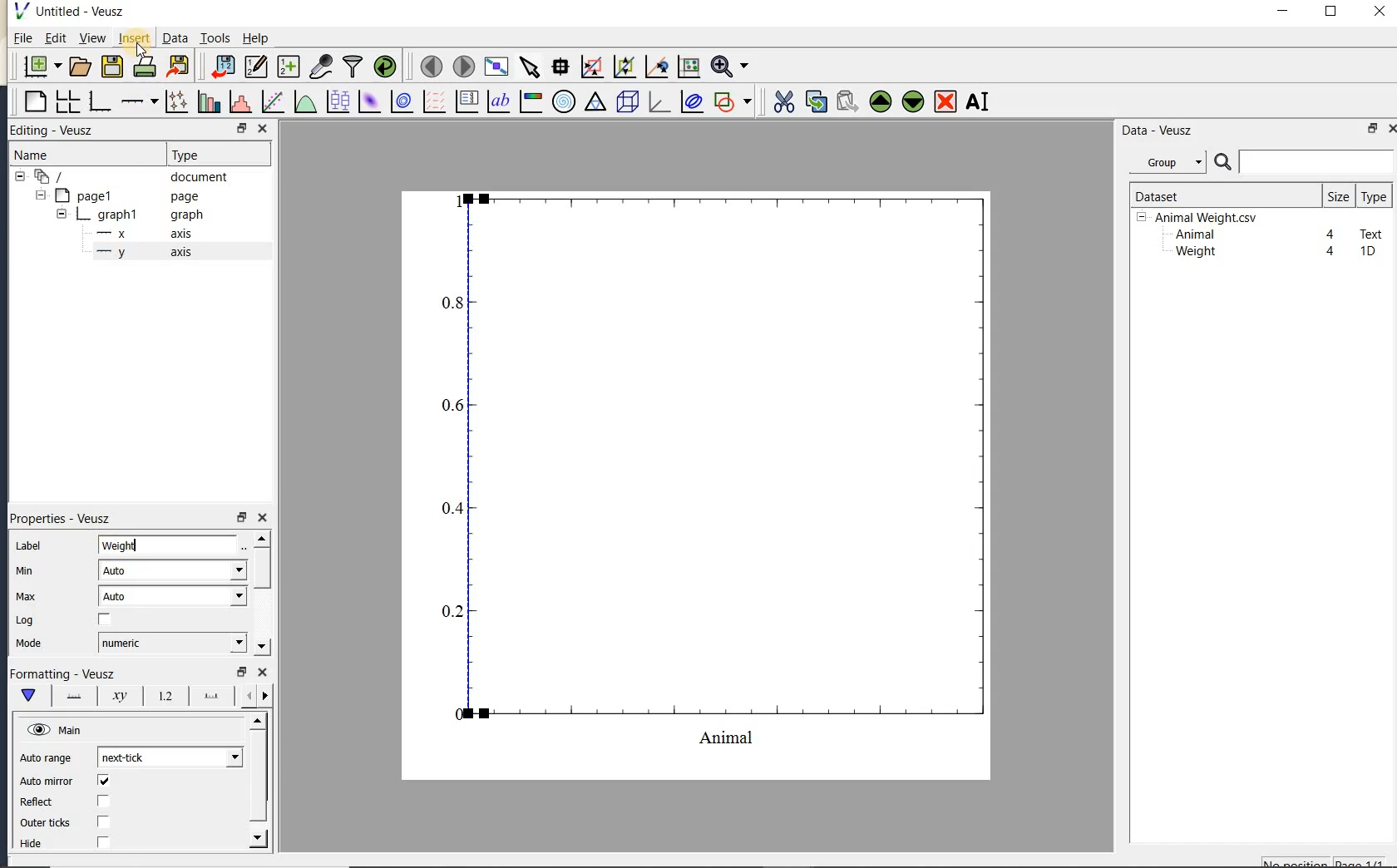  Describe the element at coordinates (223, 67) in the screenshot. I see `import data into Veusz` at that location.